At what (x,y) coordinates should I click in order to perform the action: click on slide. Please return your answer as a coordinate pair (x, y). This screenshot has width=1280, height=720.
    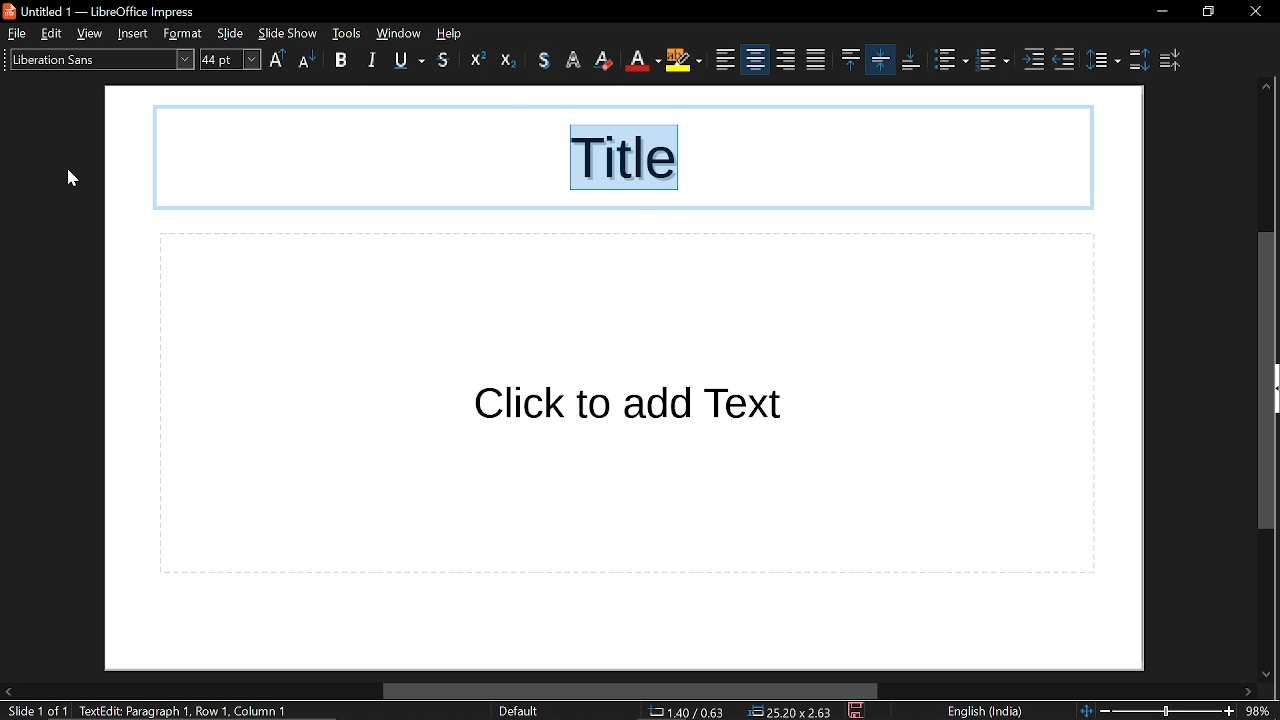
    Looking at the image, I should click on (233, 34).